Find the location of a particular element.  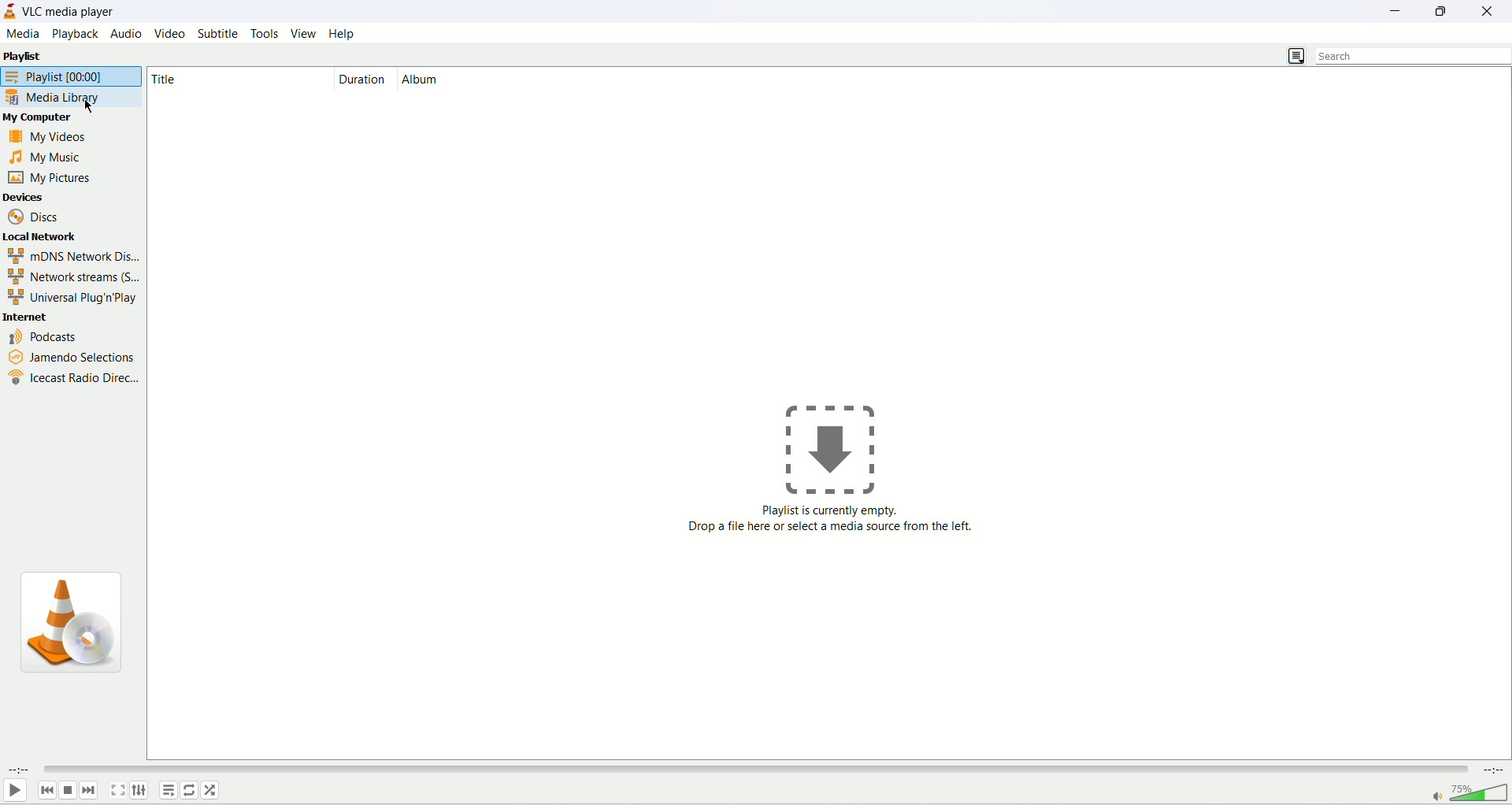

extended elements is located at coordinates (140, 792).